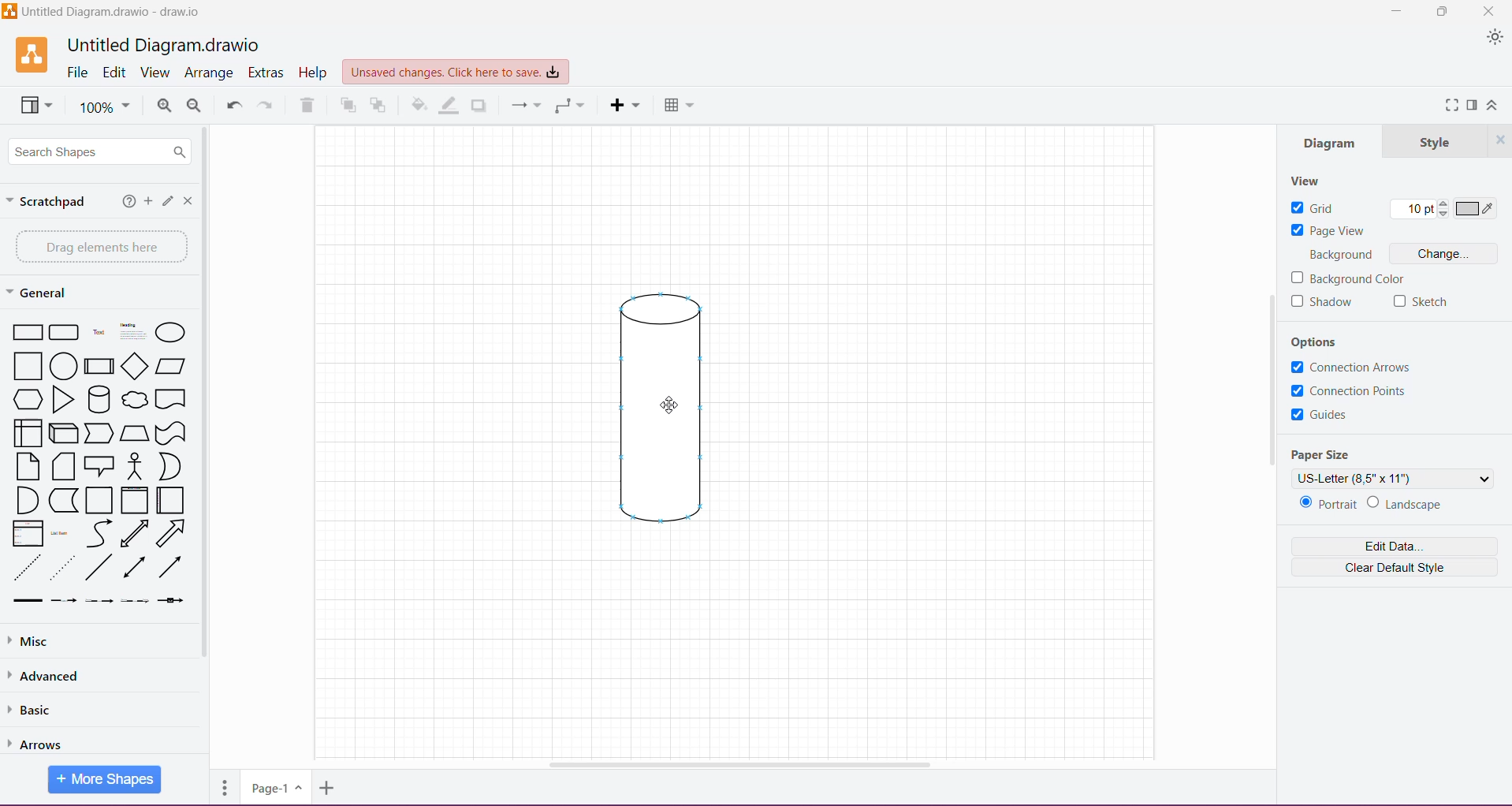  I want to click on Shadow, so click(1323, 302).